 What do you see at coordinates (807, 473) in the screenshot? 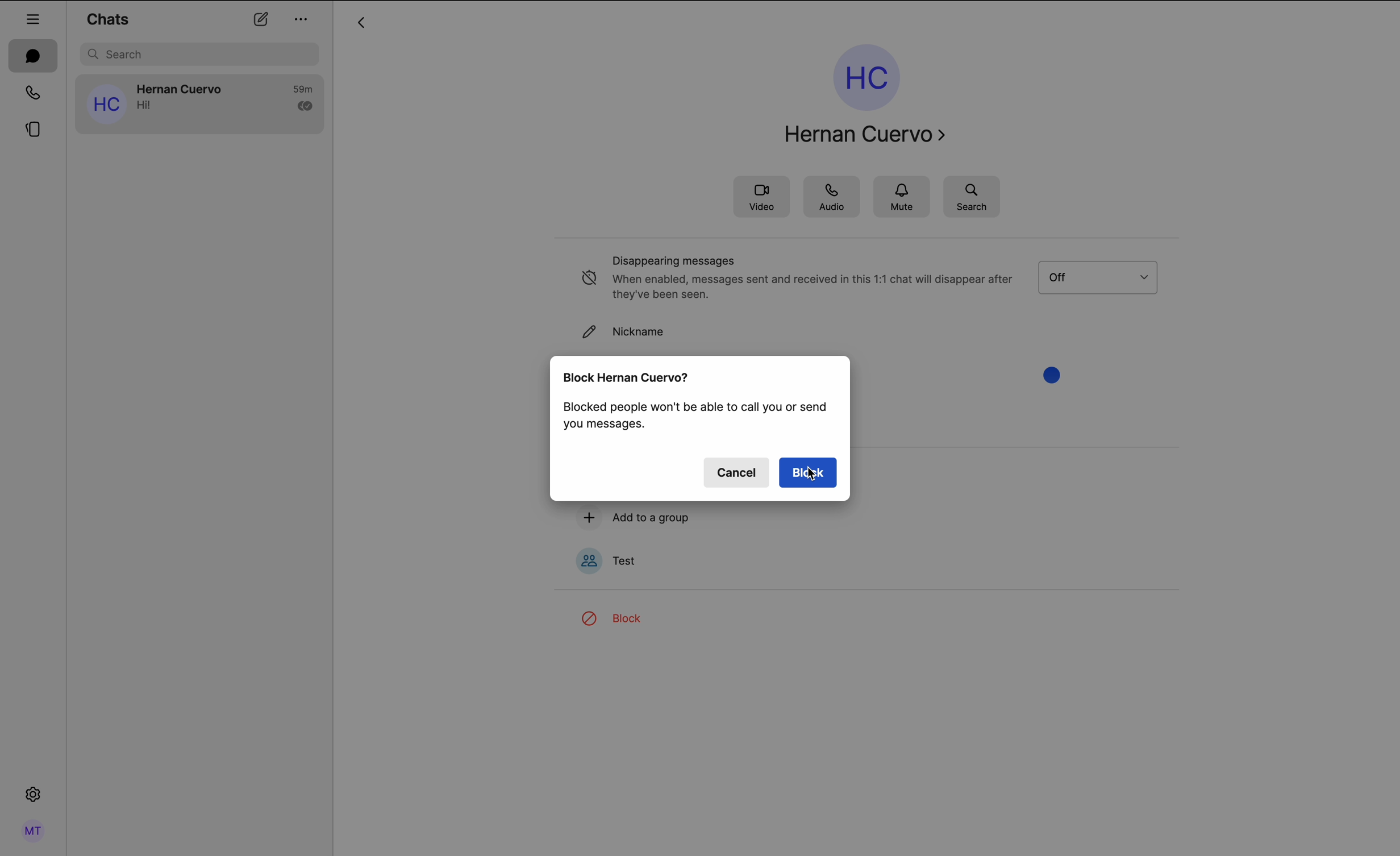
I see `block ` at bounding box center [807, 473].